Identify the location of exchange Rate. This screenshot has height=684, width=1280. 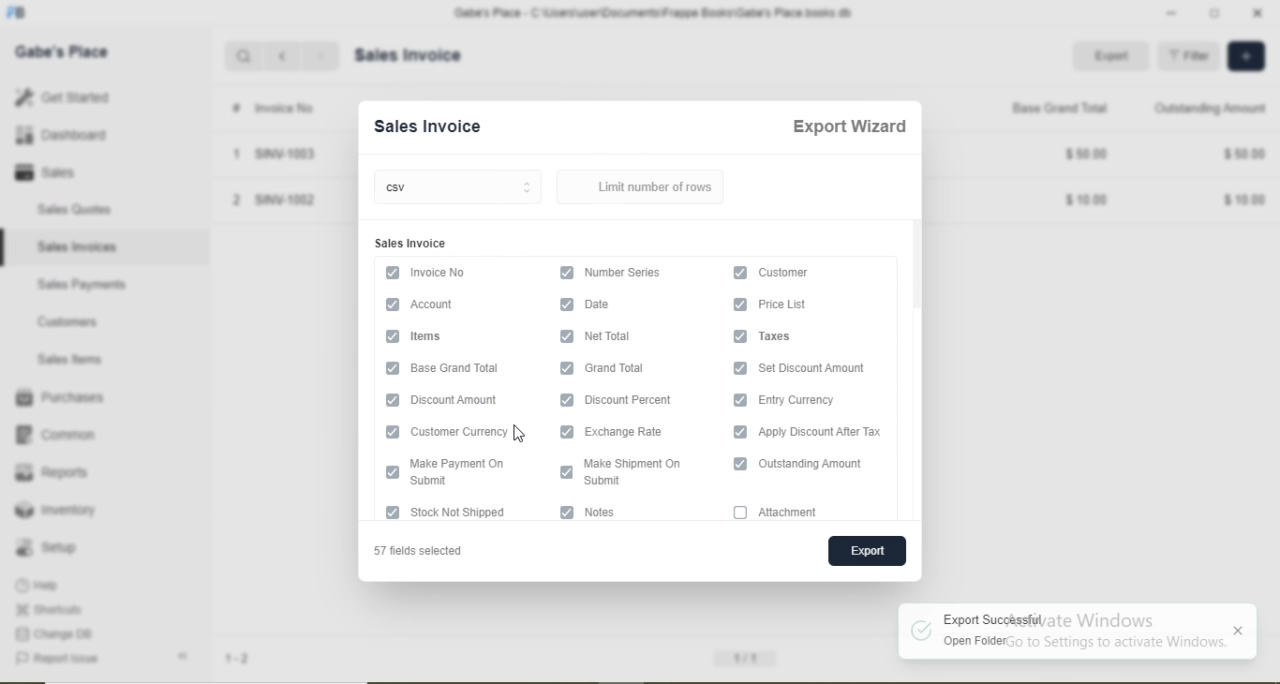
(638, 432).